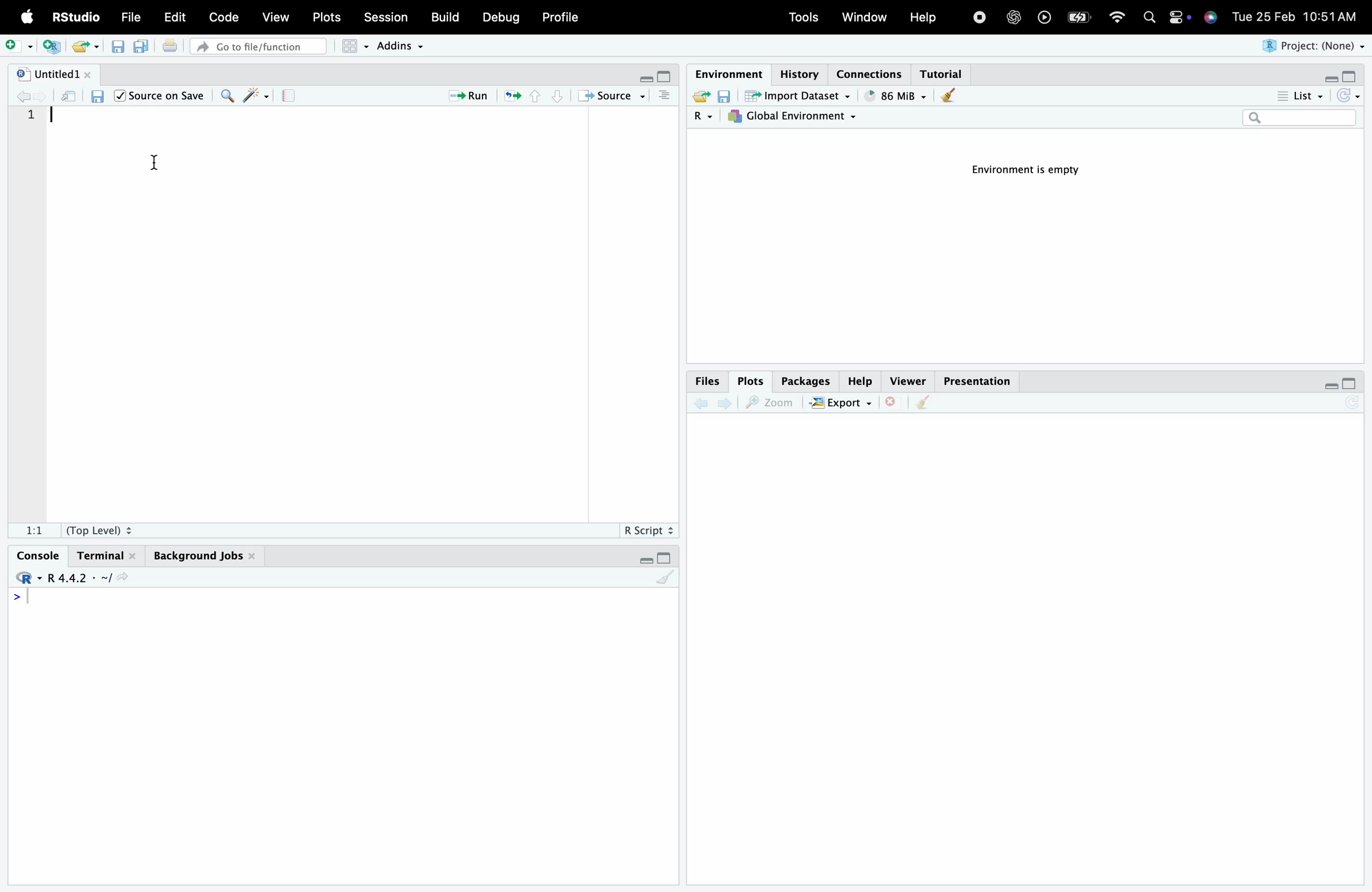 This screenshot has height=892, width=1372. What do you see at coordinates (666, 581) in the screenshot?
I see `clear` at bounding box center [666, 581].